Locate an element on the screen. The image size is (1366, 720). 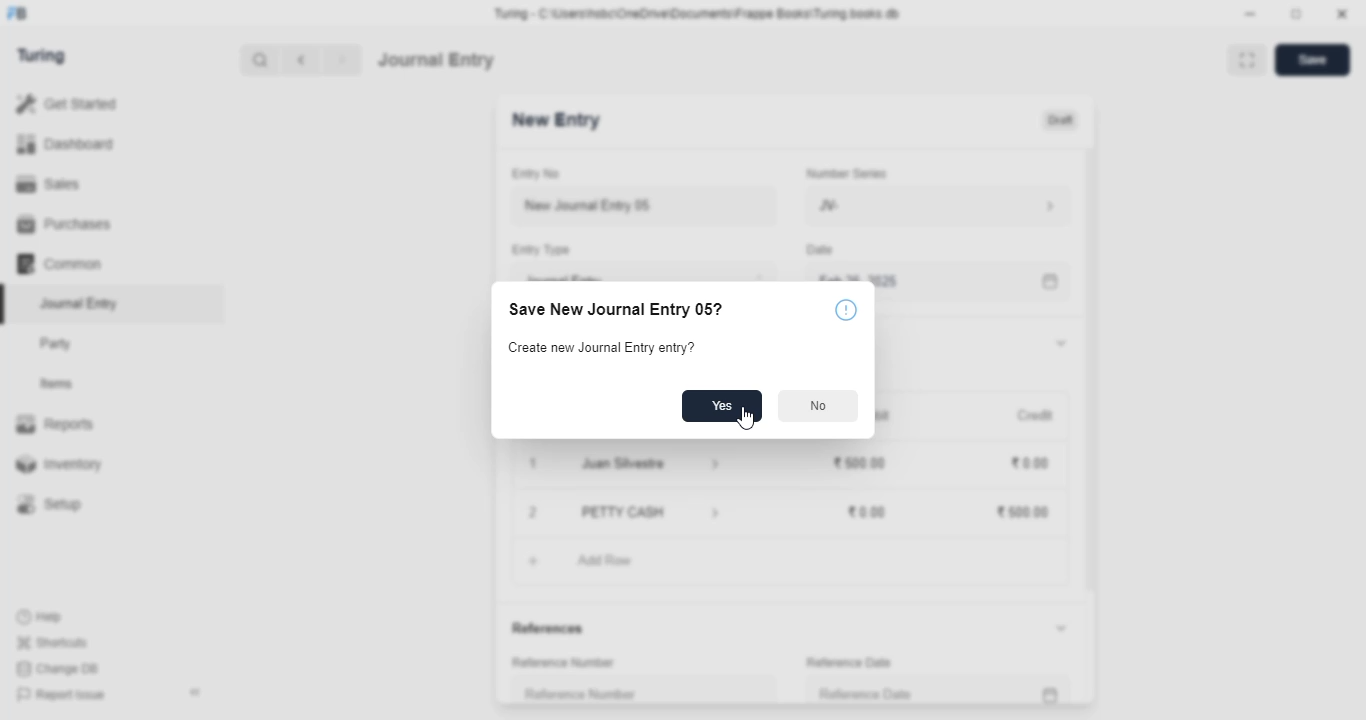
save new journal entry 05? is located at coordinates (616, 310).